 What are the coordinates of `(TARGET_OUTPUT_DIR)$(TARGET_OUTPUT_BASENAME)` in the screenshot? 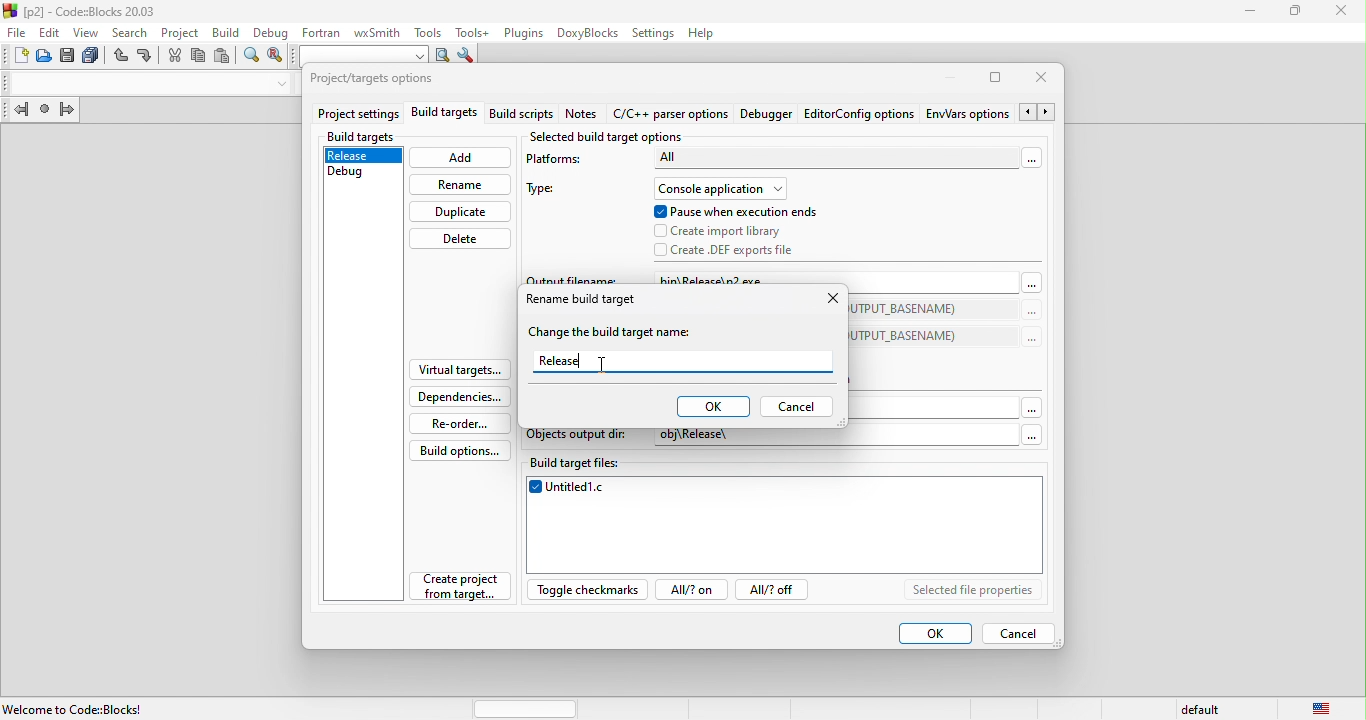 It's located at (910, 335).